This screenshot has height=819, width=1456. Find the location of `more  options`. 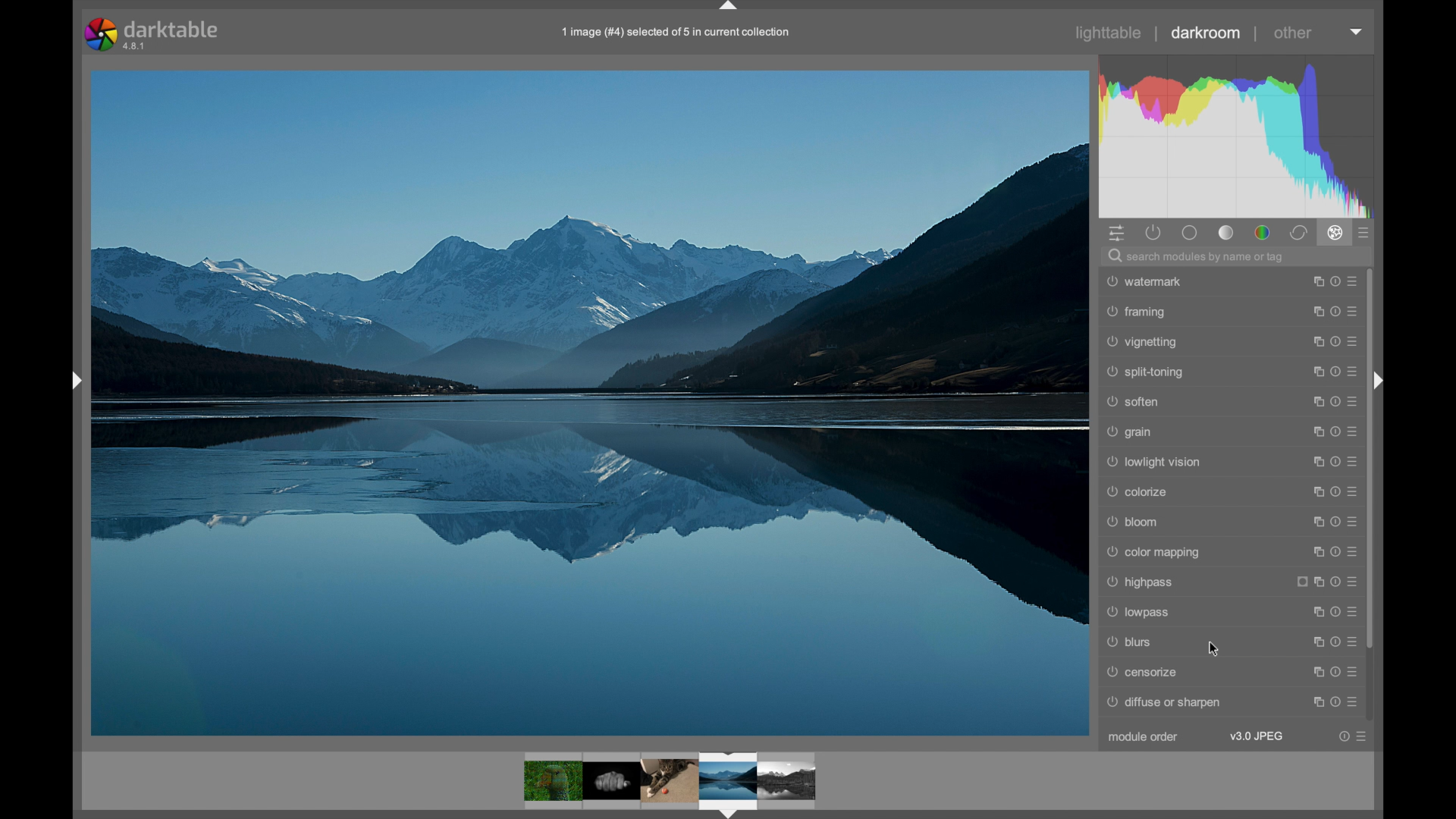

more  options is located at coordinates (1354, 342).